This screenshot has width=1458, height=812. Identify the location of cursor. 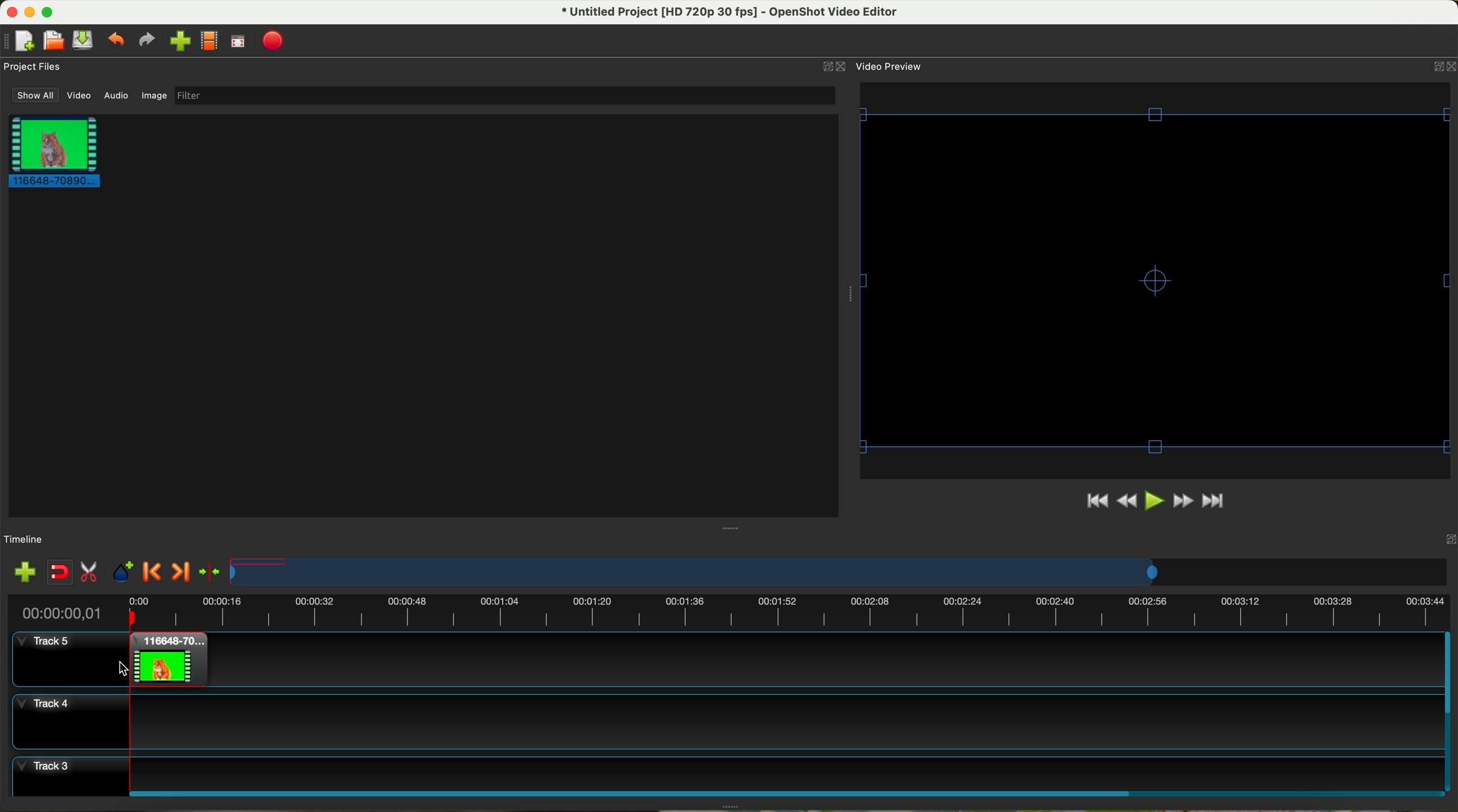
(126, 668).